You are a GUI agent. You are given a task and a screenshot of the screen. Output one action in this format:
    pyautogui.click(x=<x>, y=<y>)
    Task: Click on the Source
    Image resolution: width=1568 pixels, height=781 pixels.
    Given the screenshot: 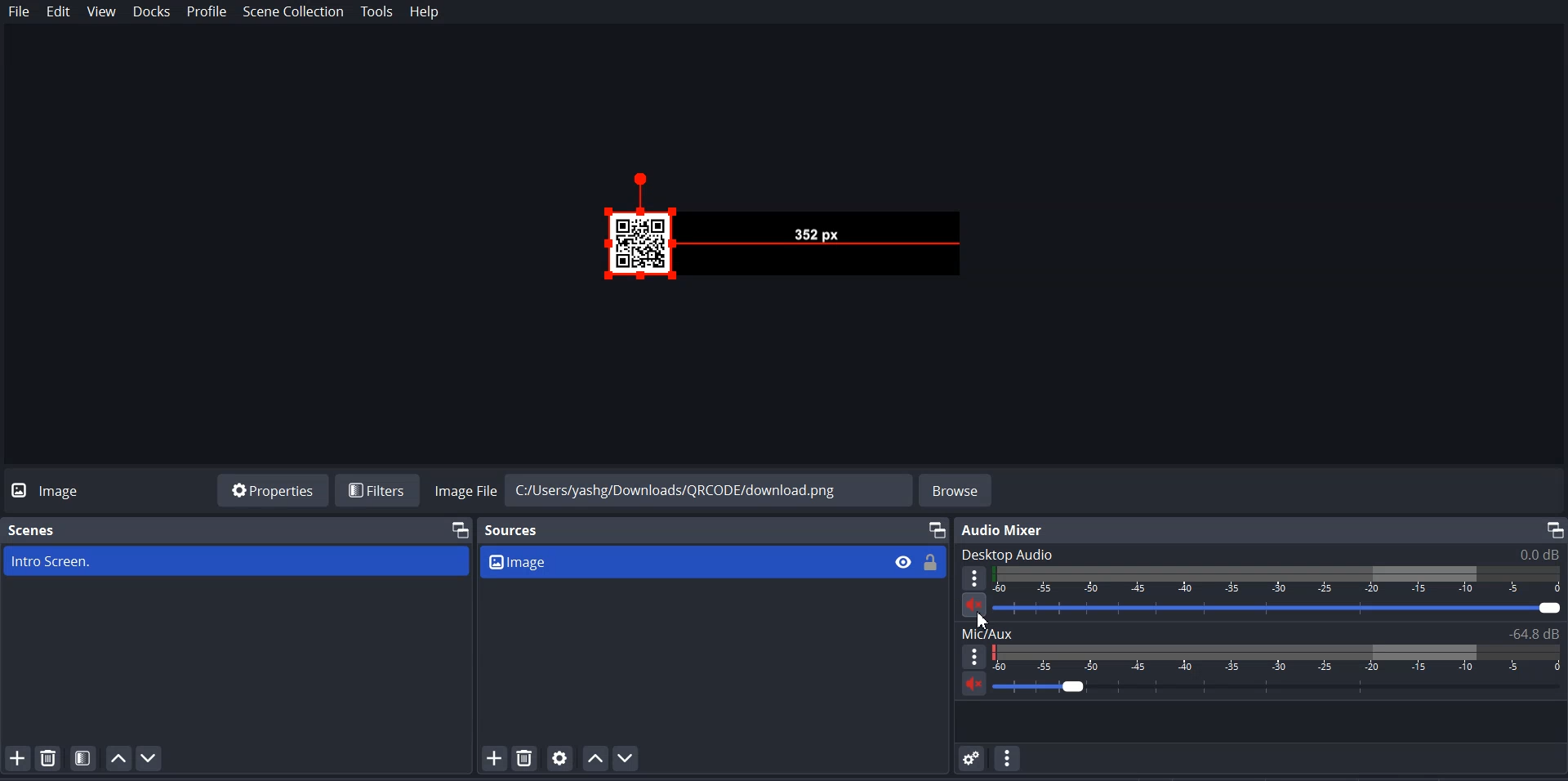 What is the action you would take?
    pyautogui.click(x=513, y=532)
    